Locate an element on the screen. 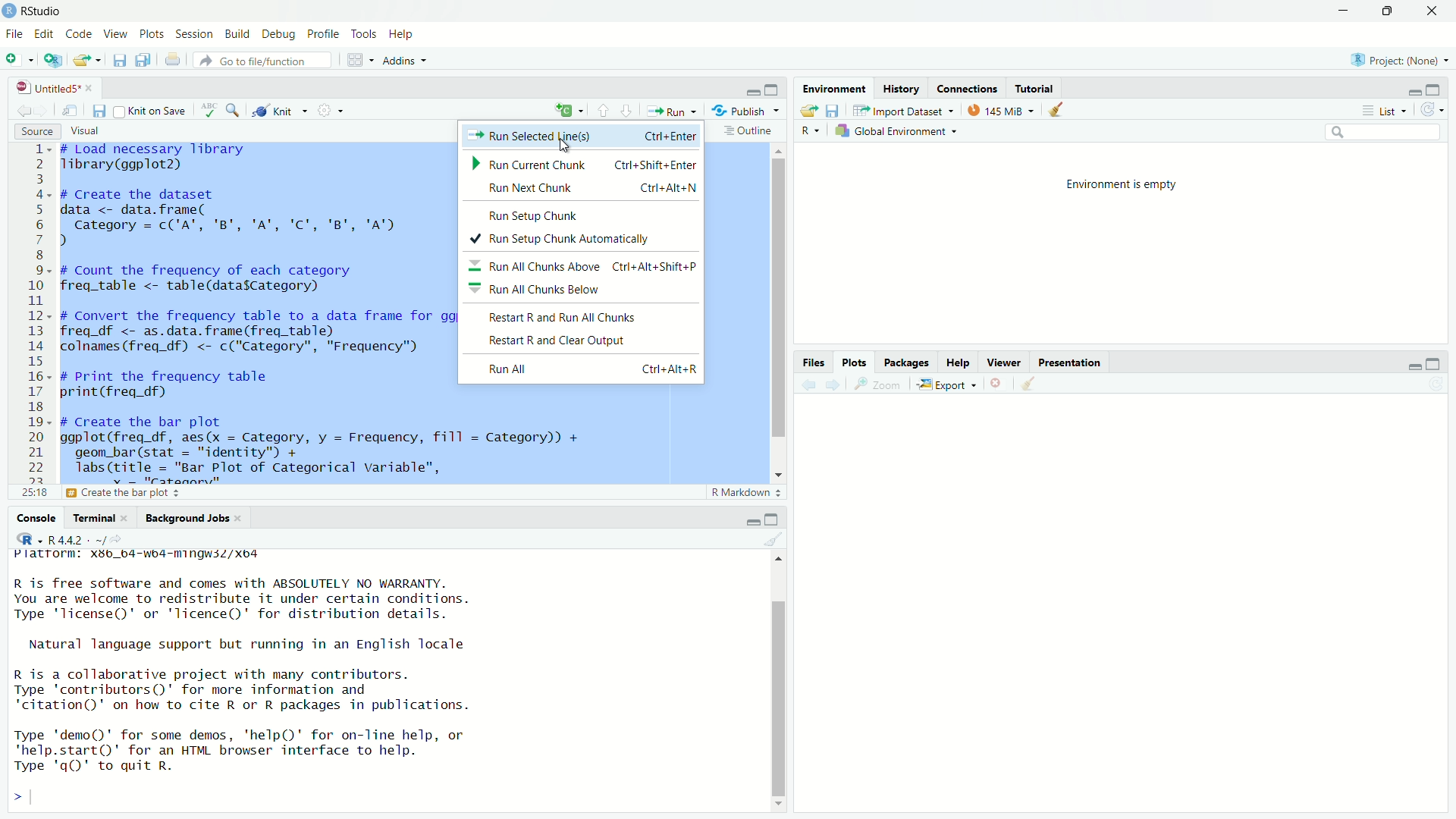 The width and height of the screenshot is (1456, 819). next is located at coordinates (838, 385).